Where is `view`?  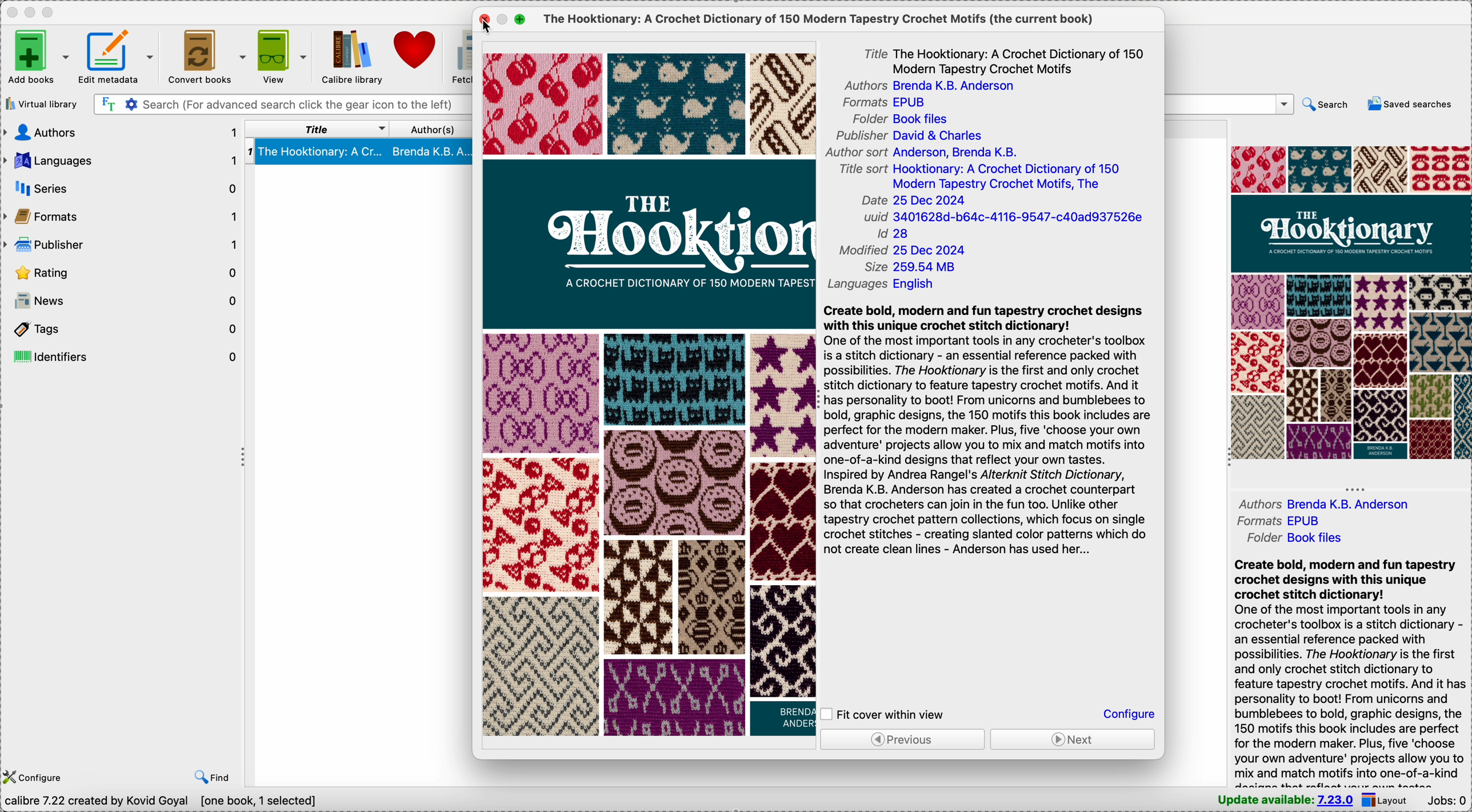
view is located at coordinates (279, 55).